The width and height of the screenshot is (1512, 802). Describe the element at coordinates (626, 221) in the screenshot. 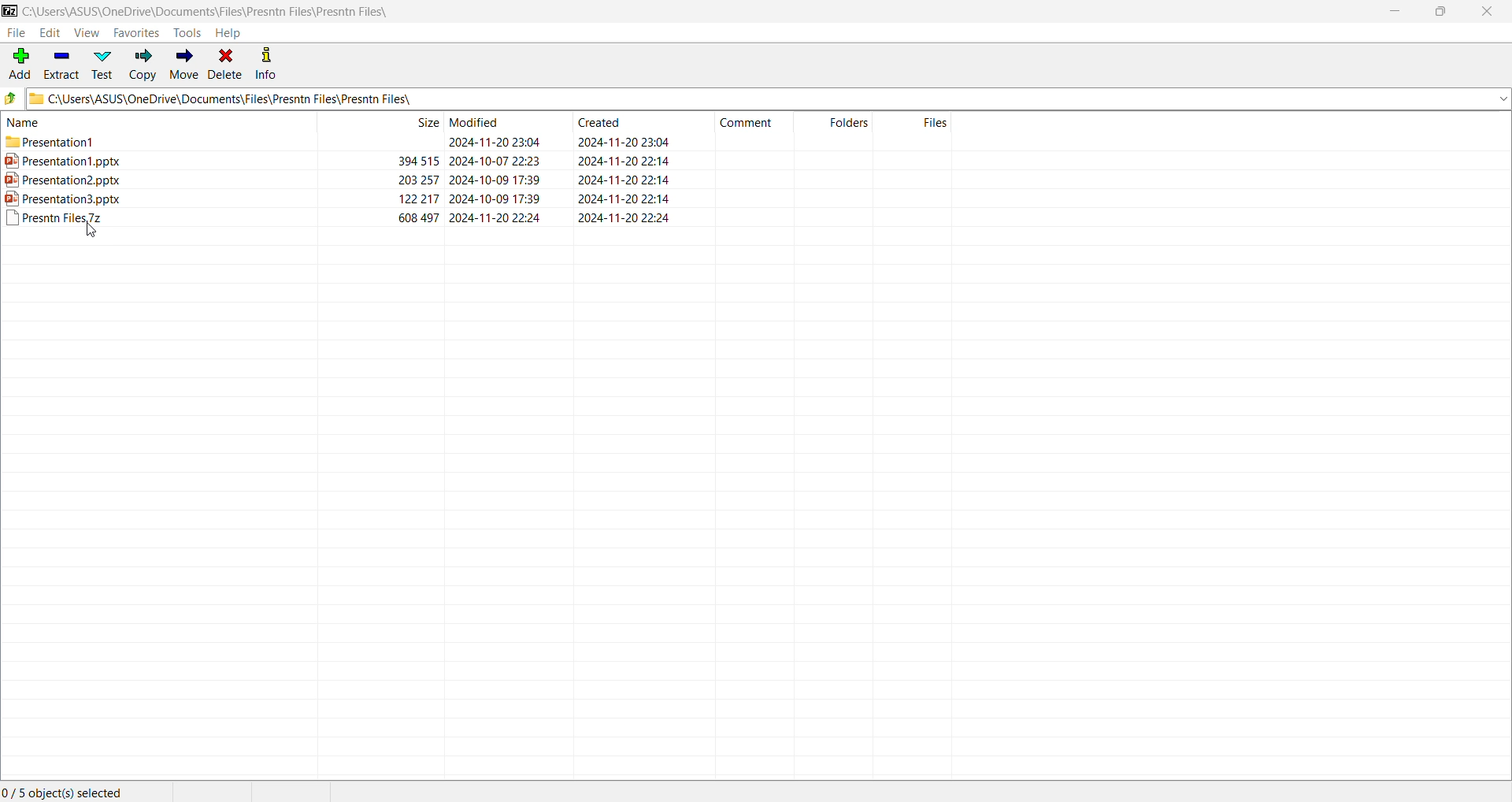

I see `2024-11-20 22:24` at that location.